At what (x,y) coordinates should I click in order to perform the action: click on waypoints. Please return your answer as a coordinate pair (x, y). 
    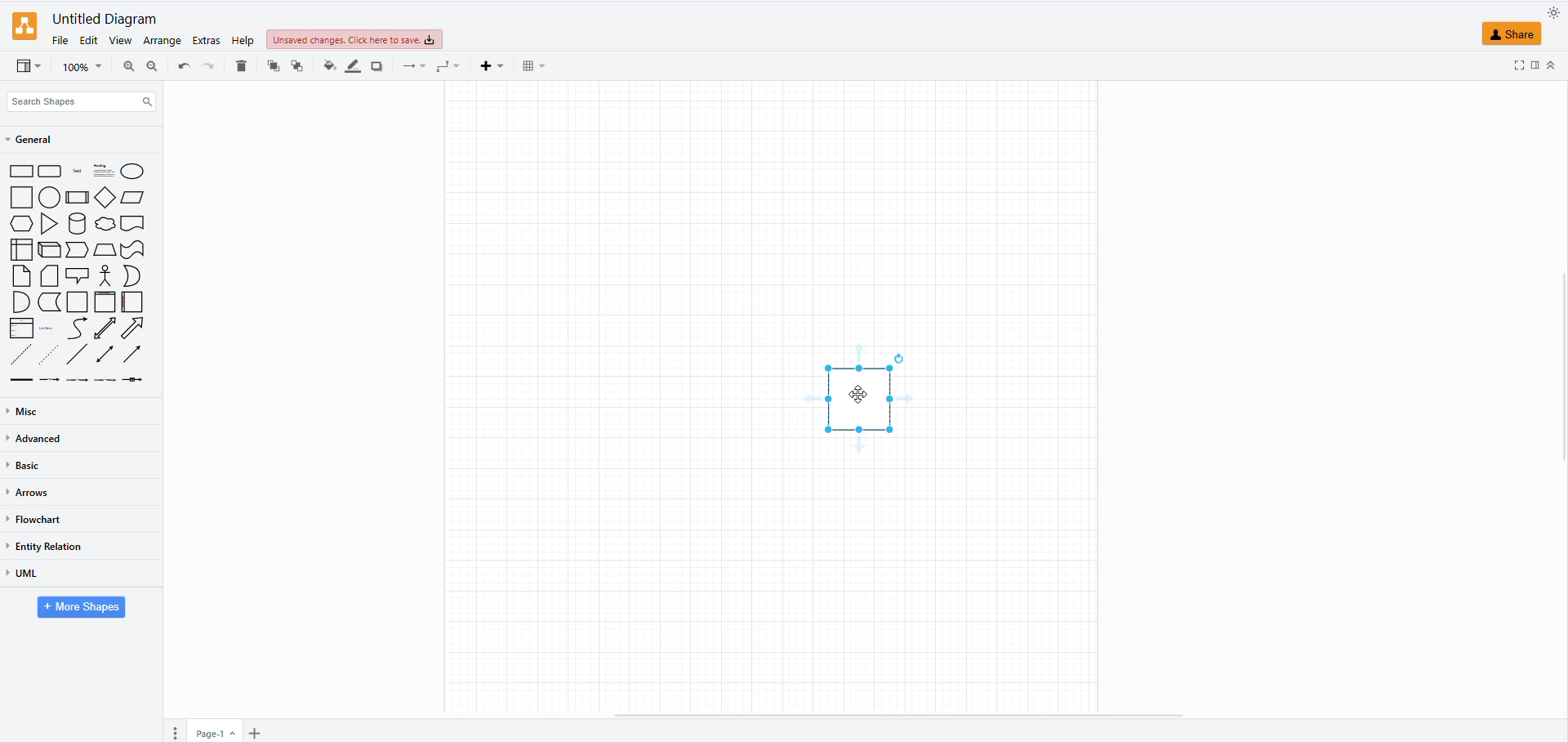
    Looking at the image, I should click on (448, 67).